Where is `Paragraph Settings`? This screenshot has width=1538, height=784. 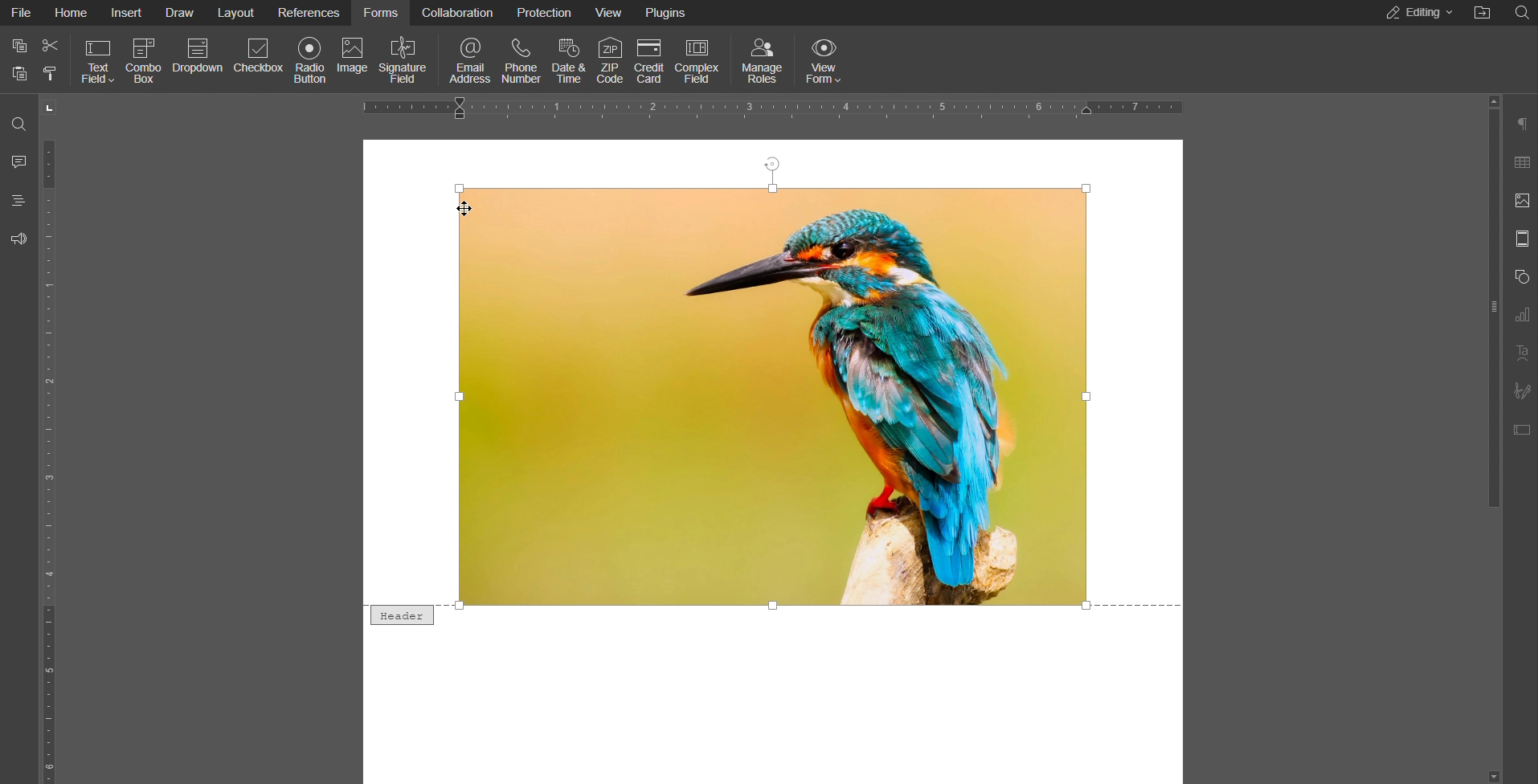
Paragraph Settings is located at coordinates (1520, 125).